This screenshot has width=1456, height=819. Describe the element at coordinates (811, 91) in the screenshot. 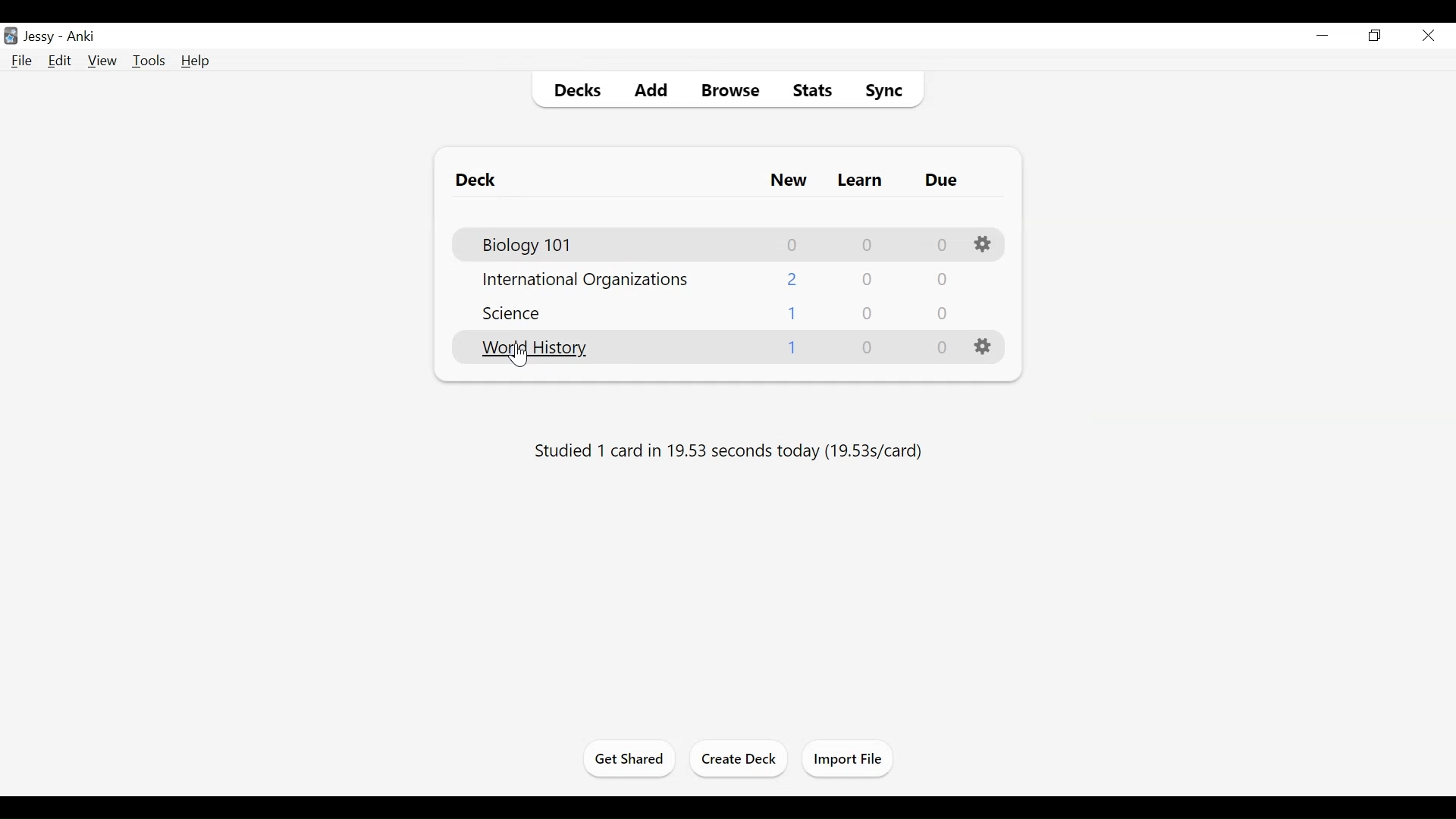

I see `Stats` at that location.